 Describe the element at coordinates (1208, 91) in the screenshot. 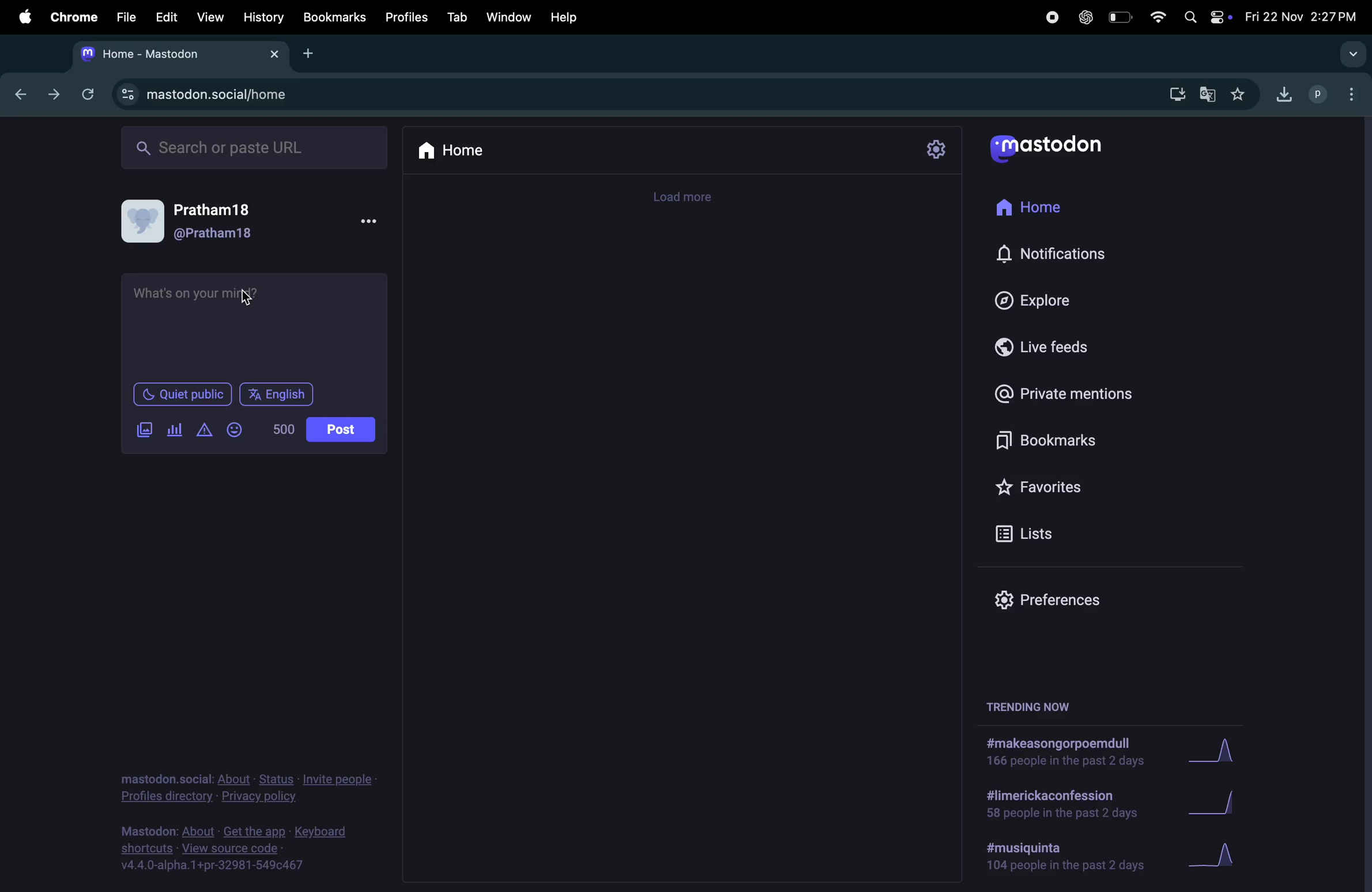

I see `translate` at that location.